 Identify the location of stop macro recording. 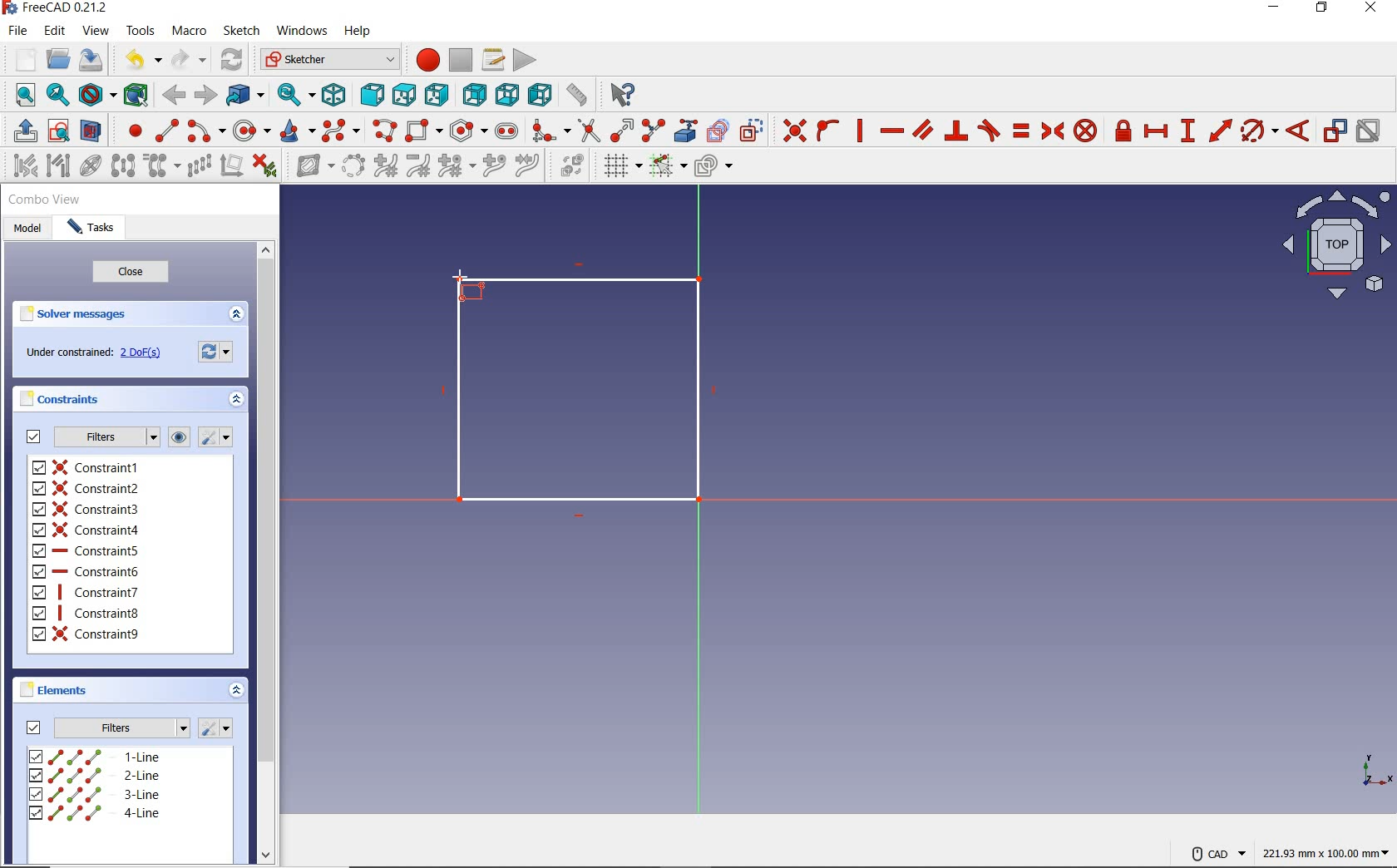
(461, 60).